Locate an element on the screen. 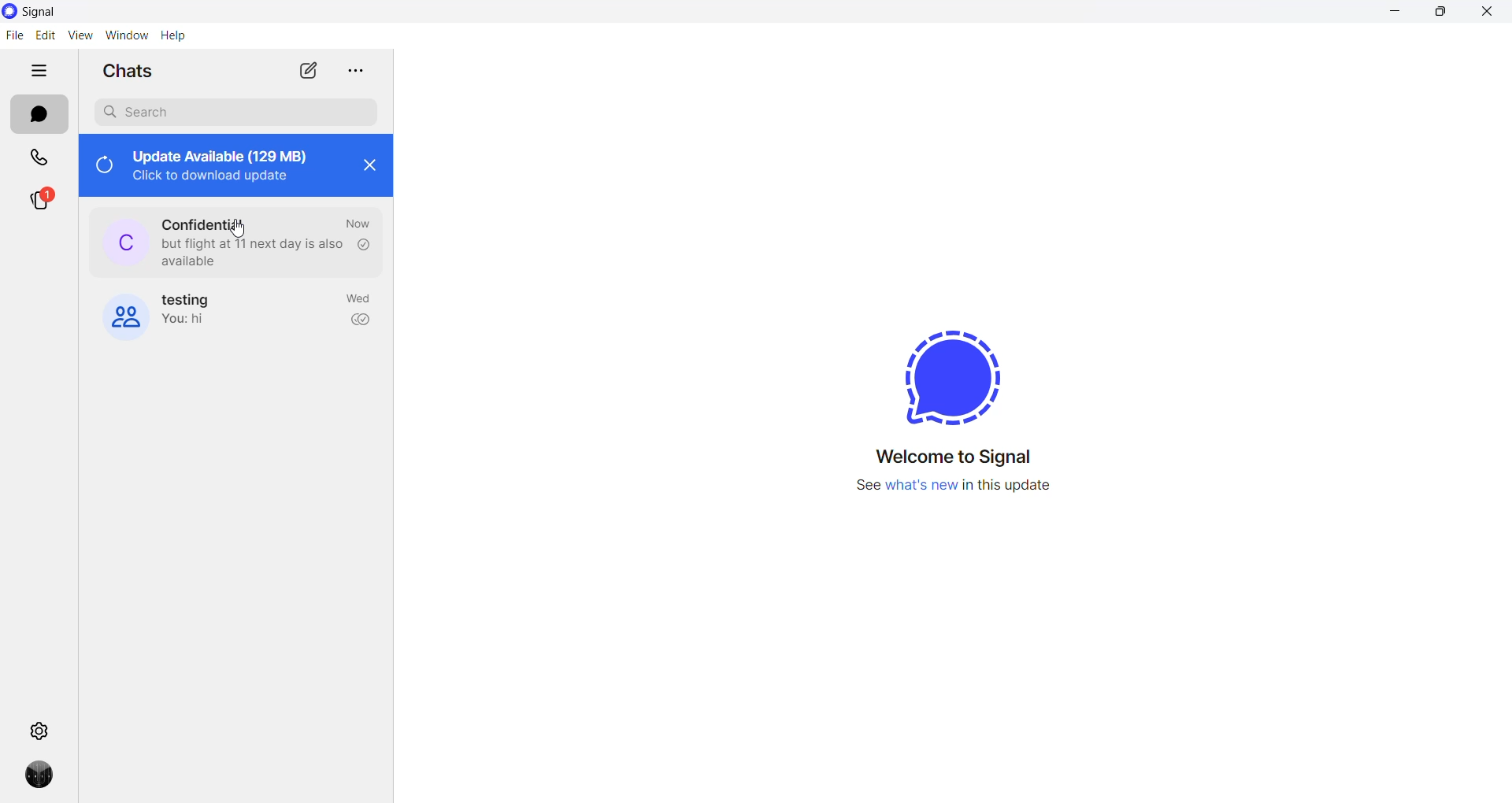 This screenshot has height=803, width=1512. last message is located at coordinates (197, 322).